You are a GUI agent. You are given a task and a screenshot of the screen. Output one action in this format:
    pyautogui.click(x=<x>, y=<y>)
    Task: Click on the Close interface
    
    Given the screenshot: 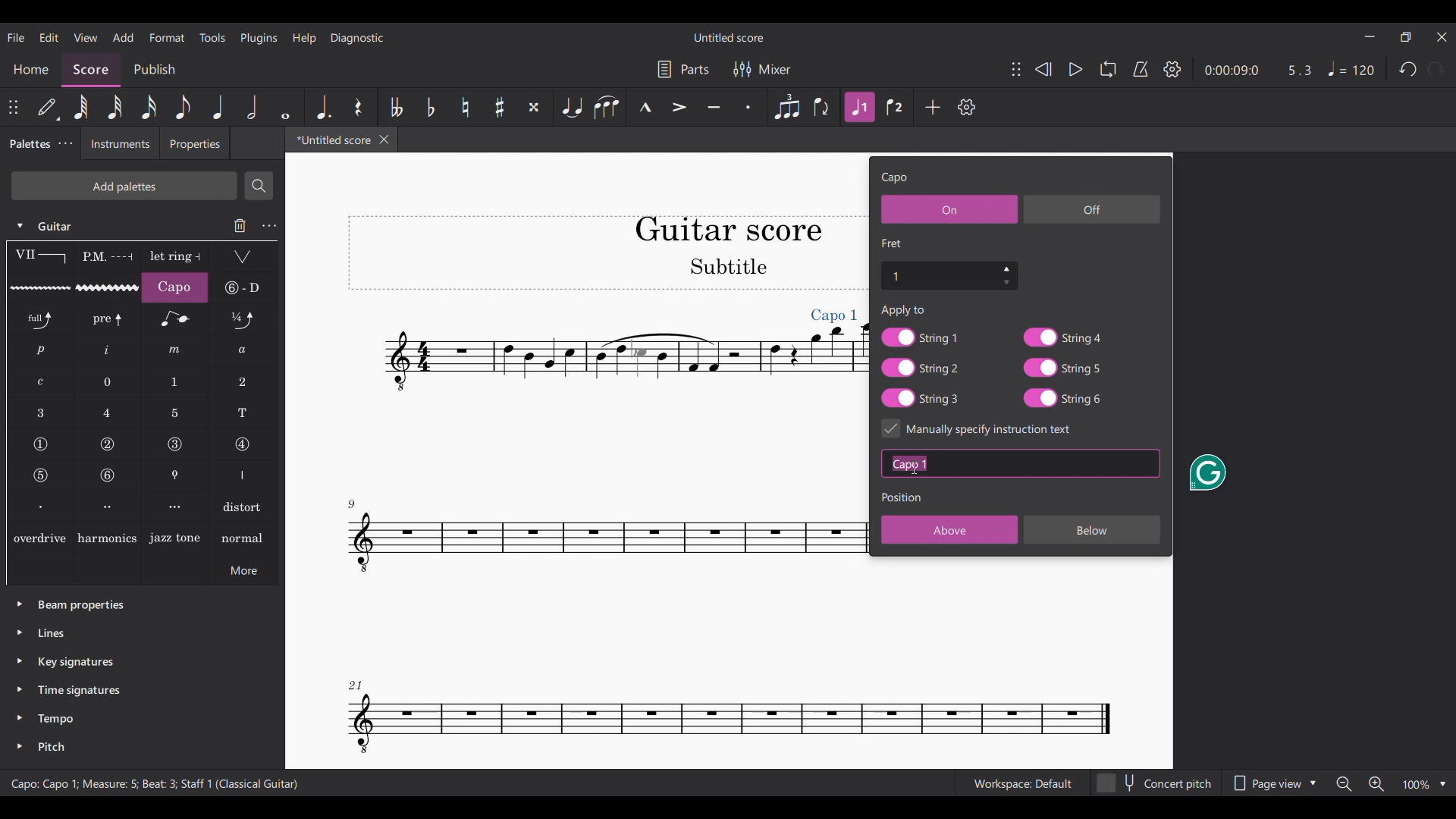 What is the action you would take?
    pyautogui.click(x=1442, y=37)
    